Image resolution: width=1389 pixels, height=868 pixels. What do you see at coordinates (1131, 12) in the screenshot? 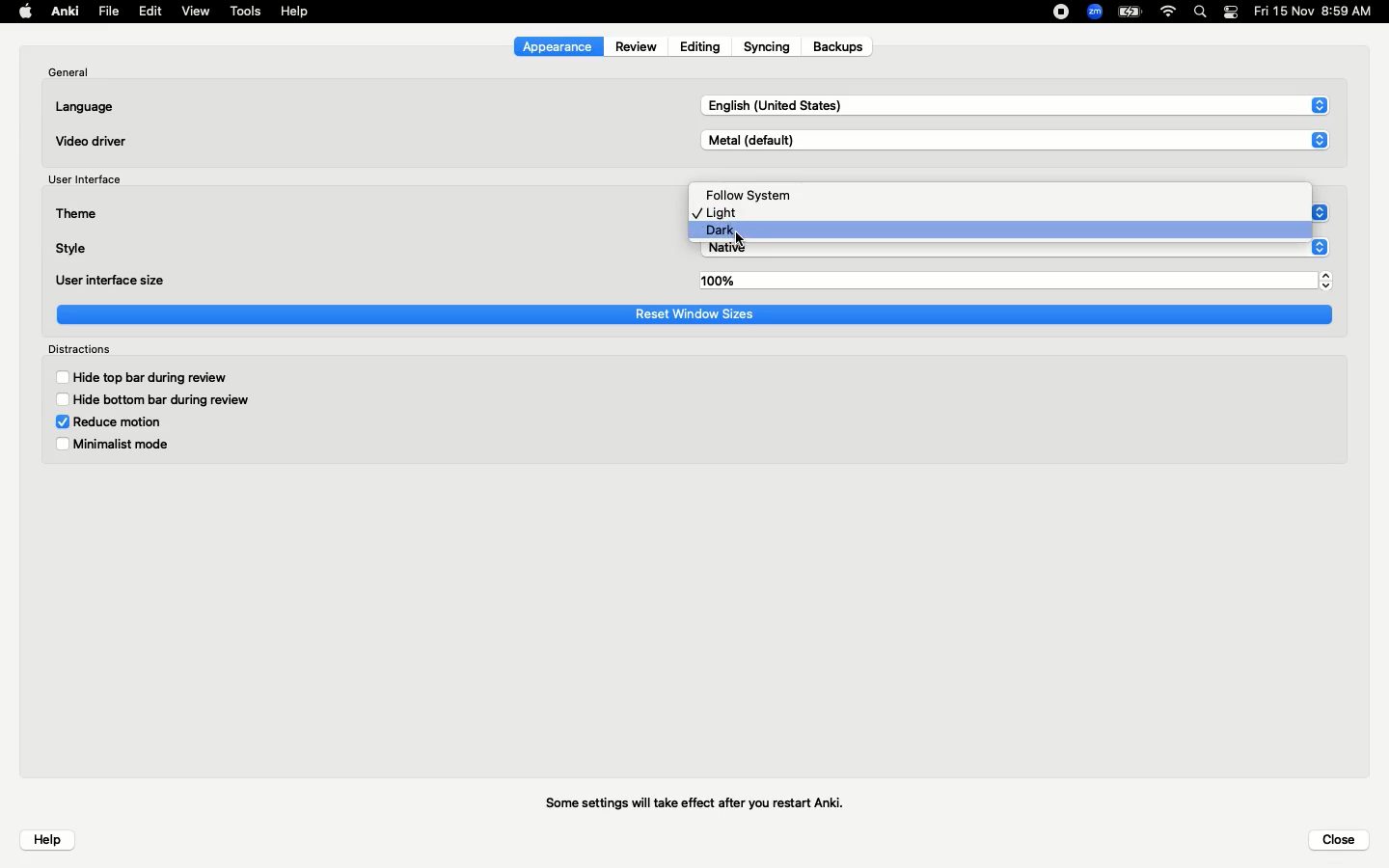
I see `Charge` at bounding box center [1131, 12].